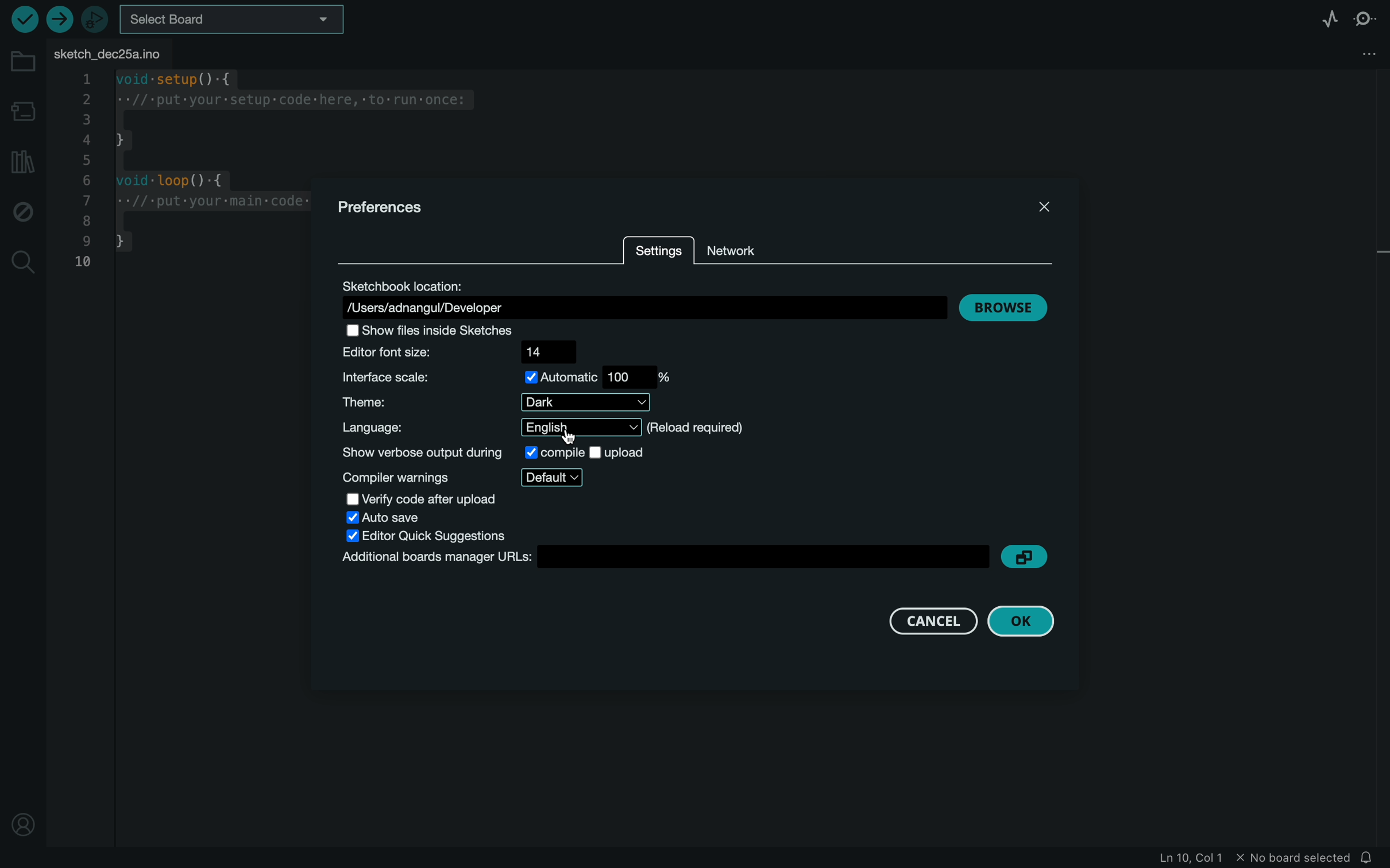 The image size is (1390, 868). What do you see at coordinates (95, 19) in the screenshot?
I see `debugger` at bounding box center [95, 19].